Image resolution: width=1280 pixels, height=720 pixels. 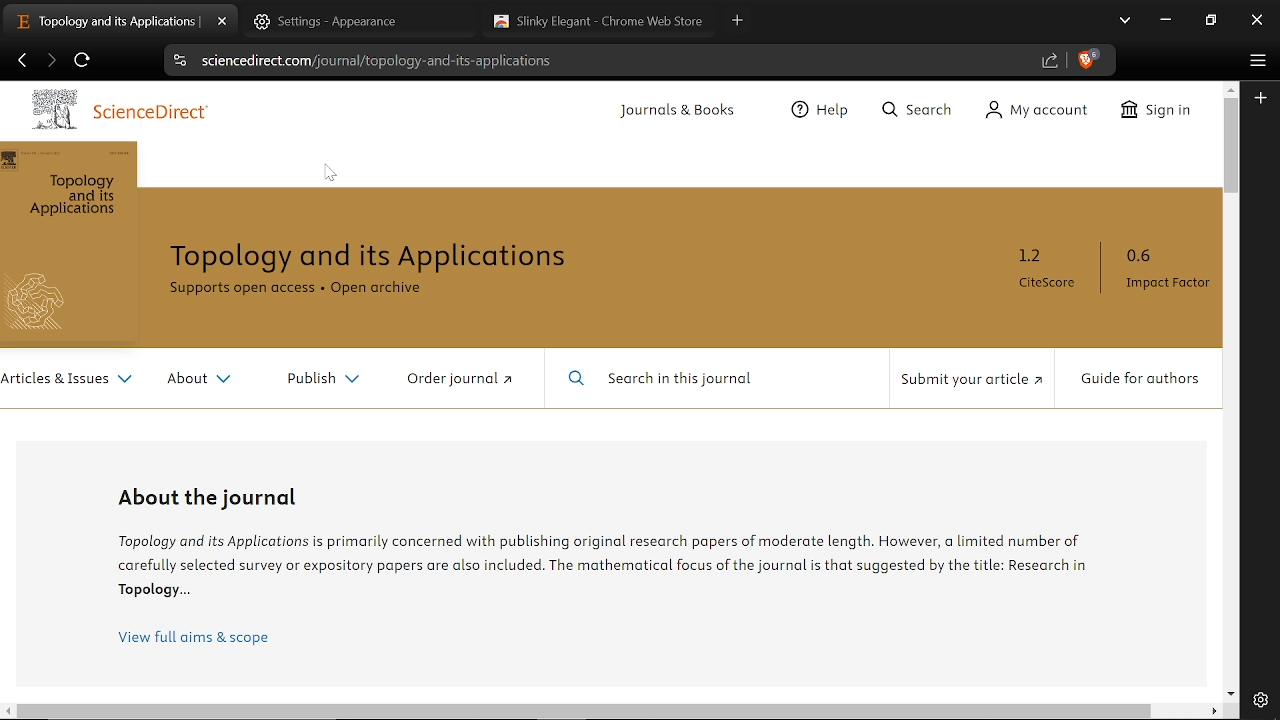 What do you see at coordinates (1257, 22) in the screenshot?
I see `Close` at bounding box center [1257, 22].